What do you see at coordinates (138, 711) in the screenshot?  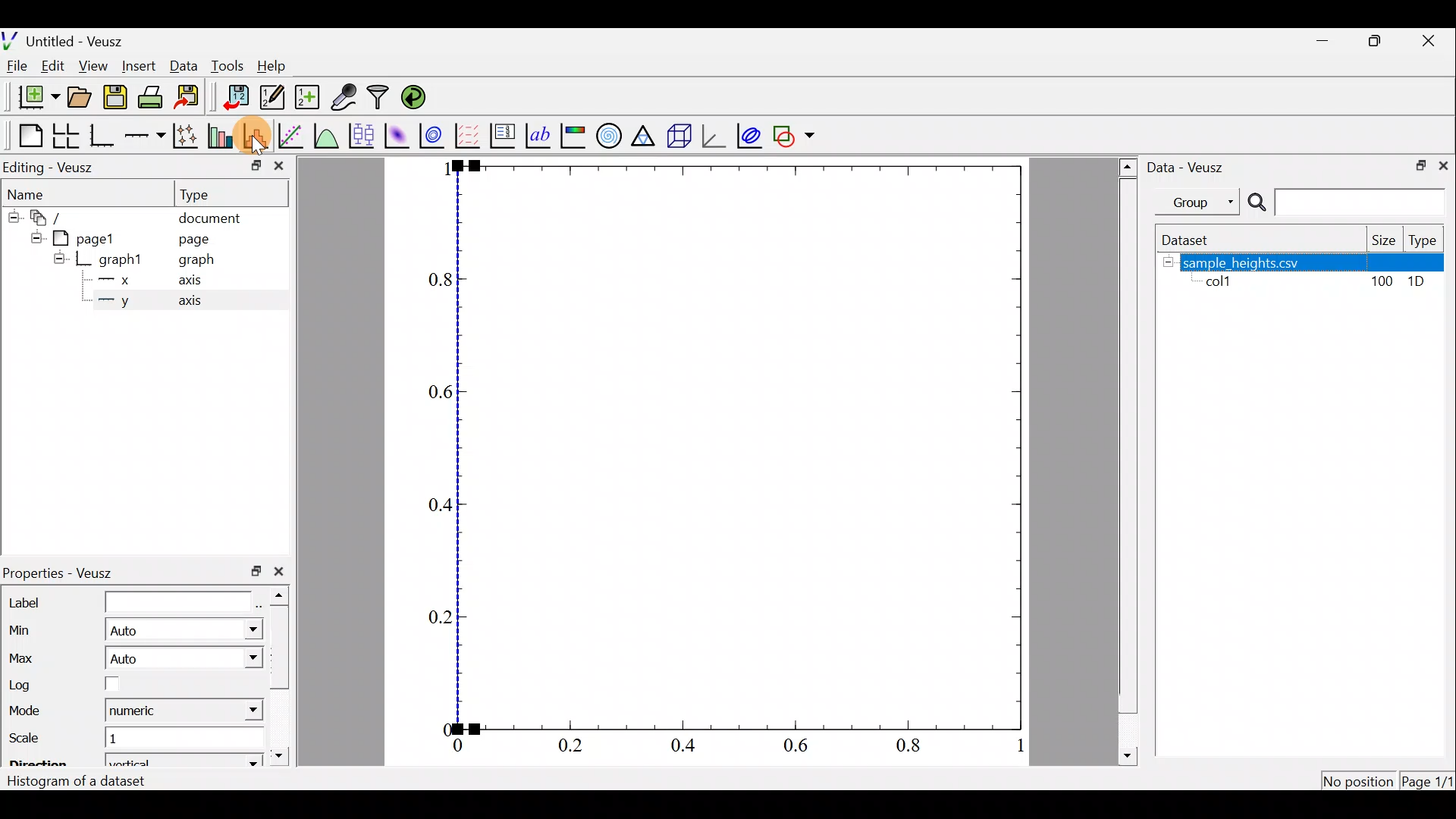 I see `numeric` at bounding box center [138, 711].